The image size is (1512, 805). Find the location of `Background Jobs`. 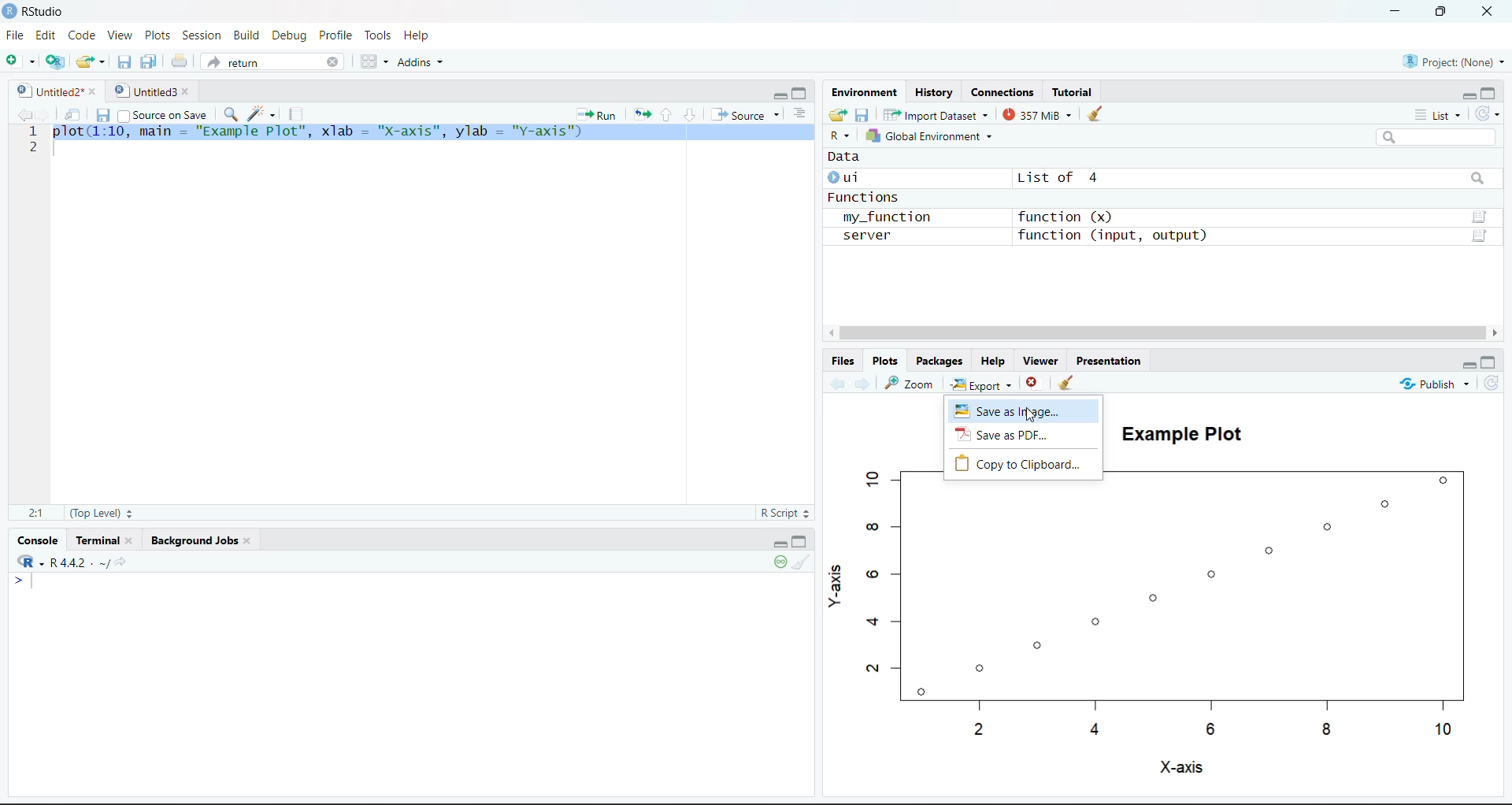

Background Jobs is located at coordinates (197, 540).